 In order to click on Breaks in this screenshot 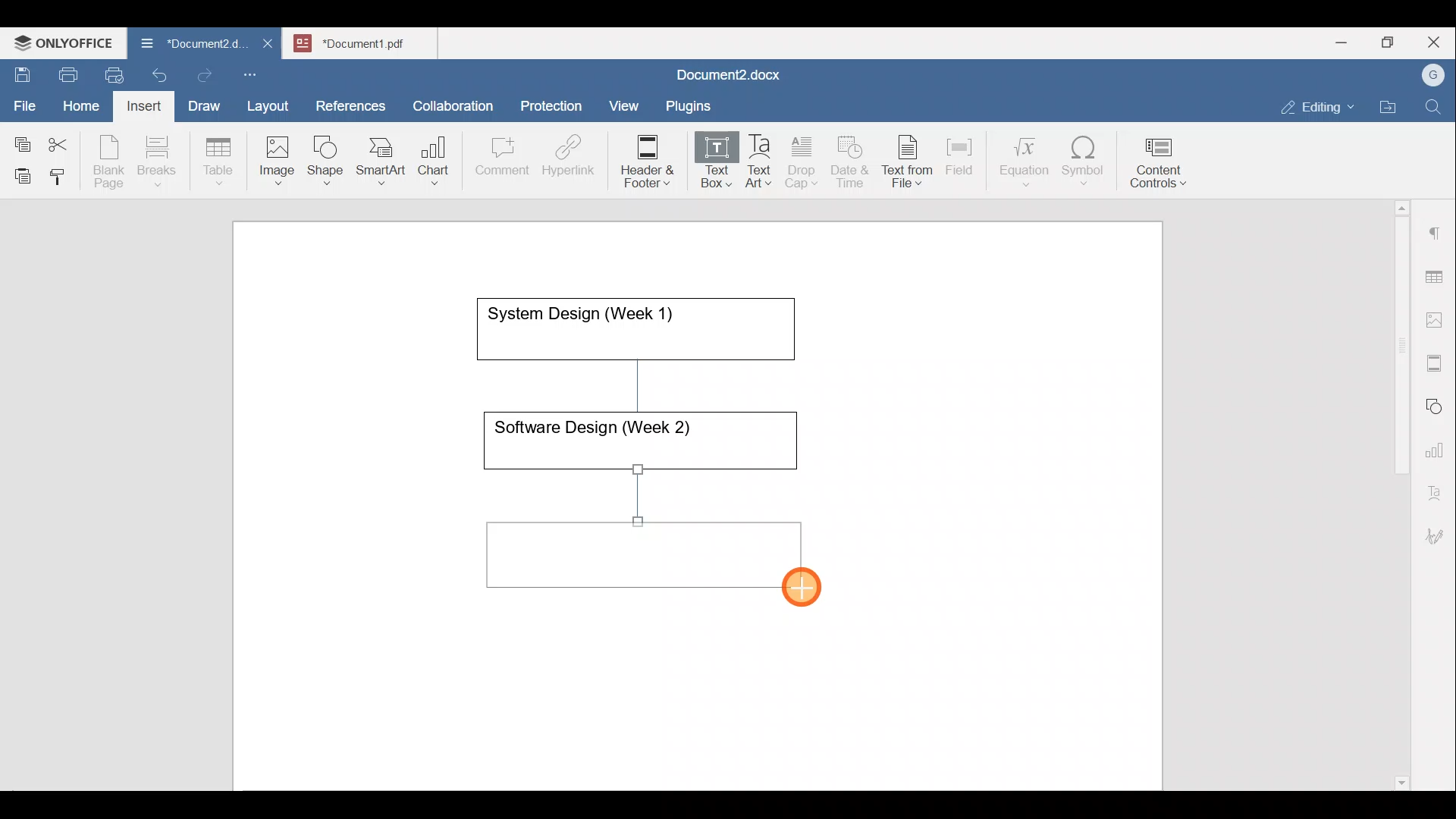, I will do `click(156, 162)`.